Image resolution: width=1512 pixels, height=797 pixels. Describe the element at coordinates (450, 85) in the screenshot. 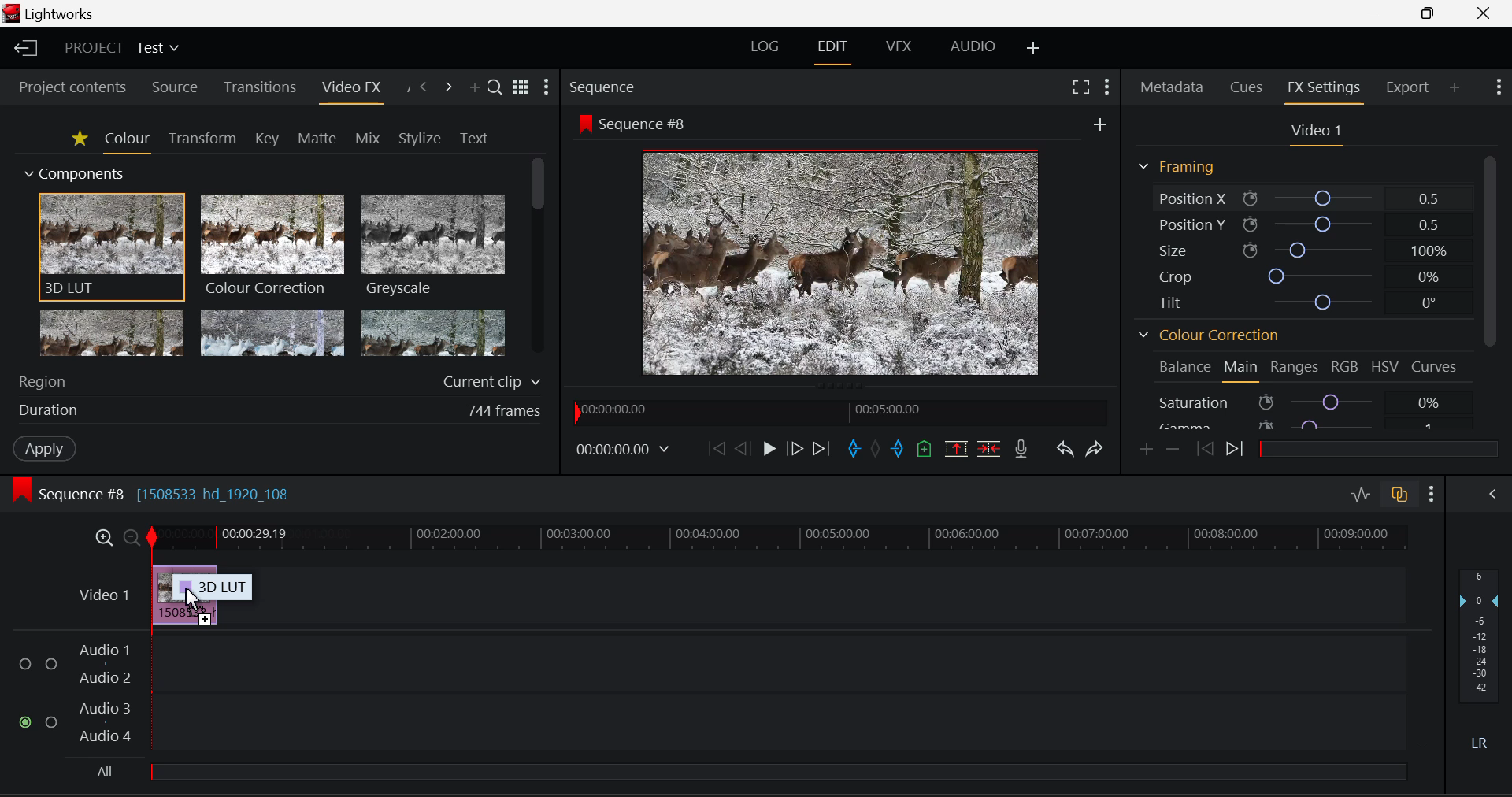

I see `Next Panel` at that location.